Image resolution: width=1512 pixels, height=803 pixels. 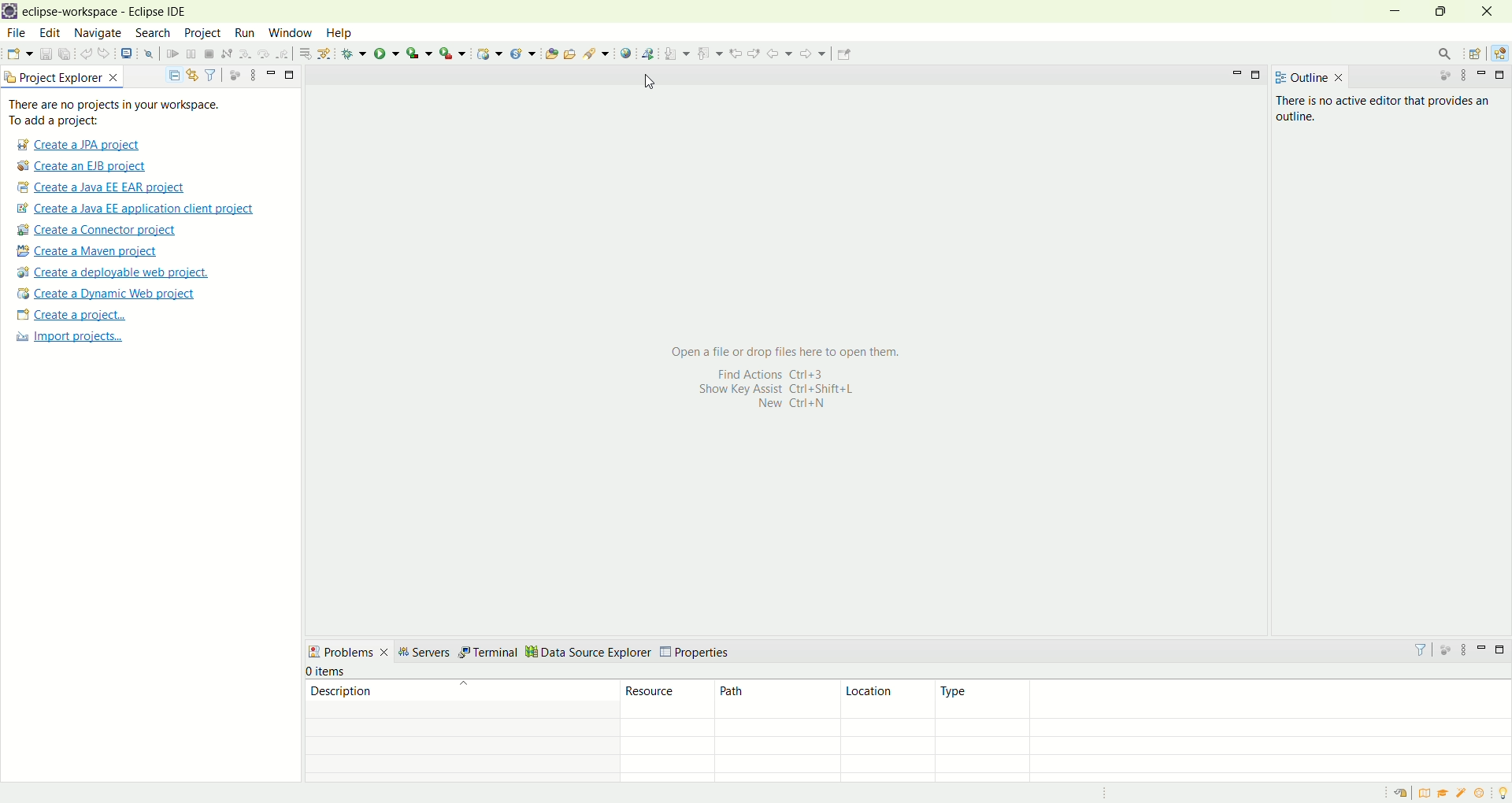 I want to click on logo, so click(x=9, y=13).